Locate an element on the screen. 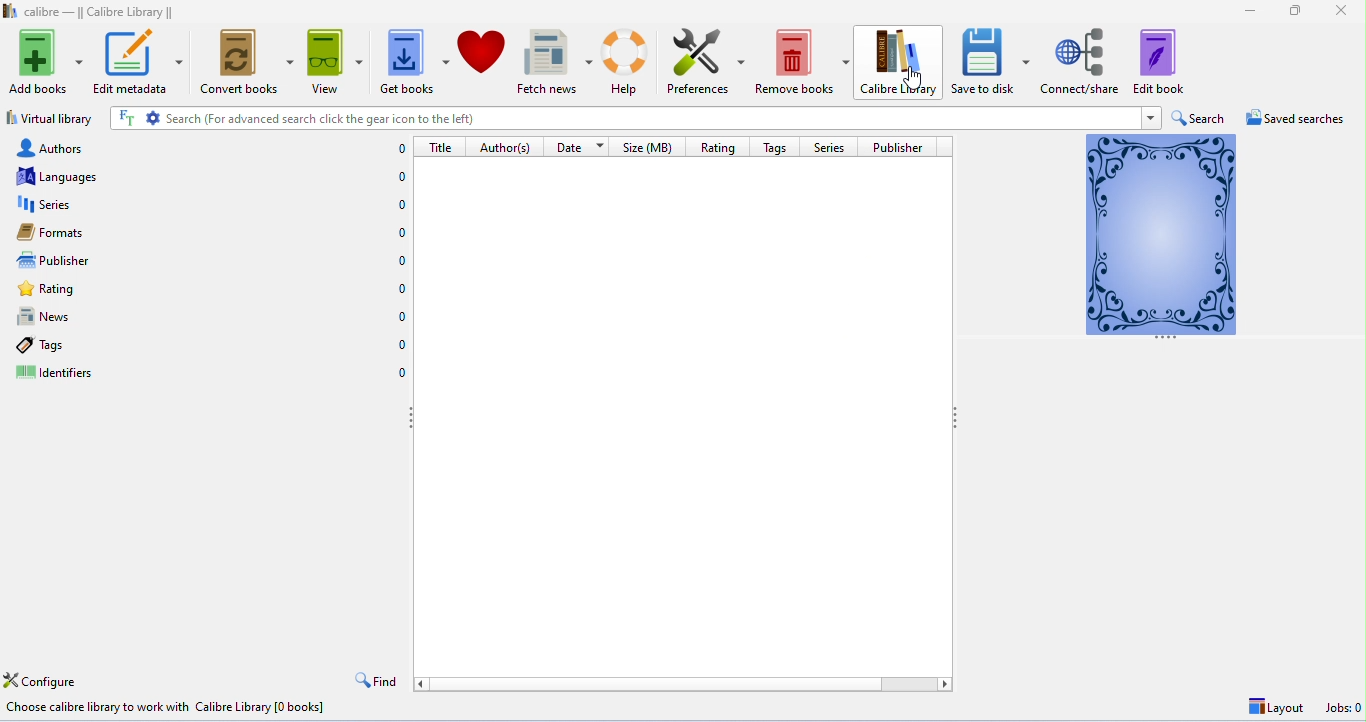 The width and height of the screenshot is (1366, 722). horizontal scroll bar is located at coordinates (682, 684).